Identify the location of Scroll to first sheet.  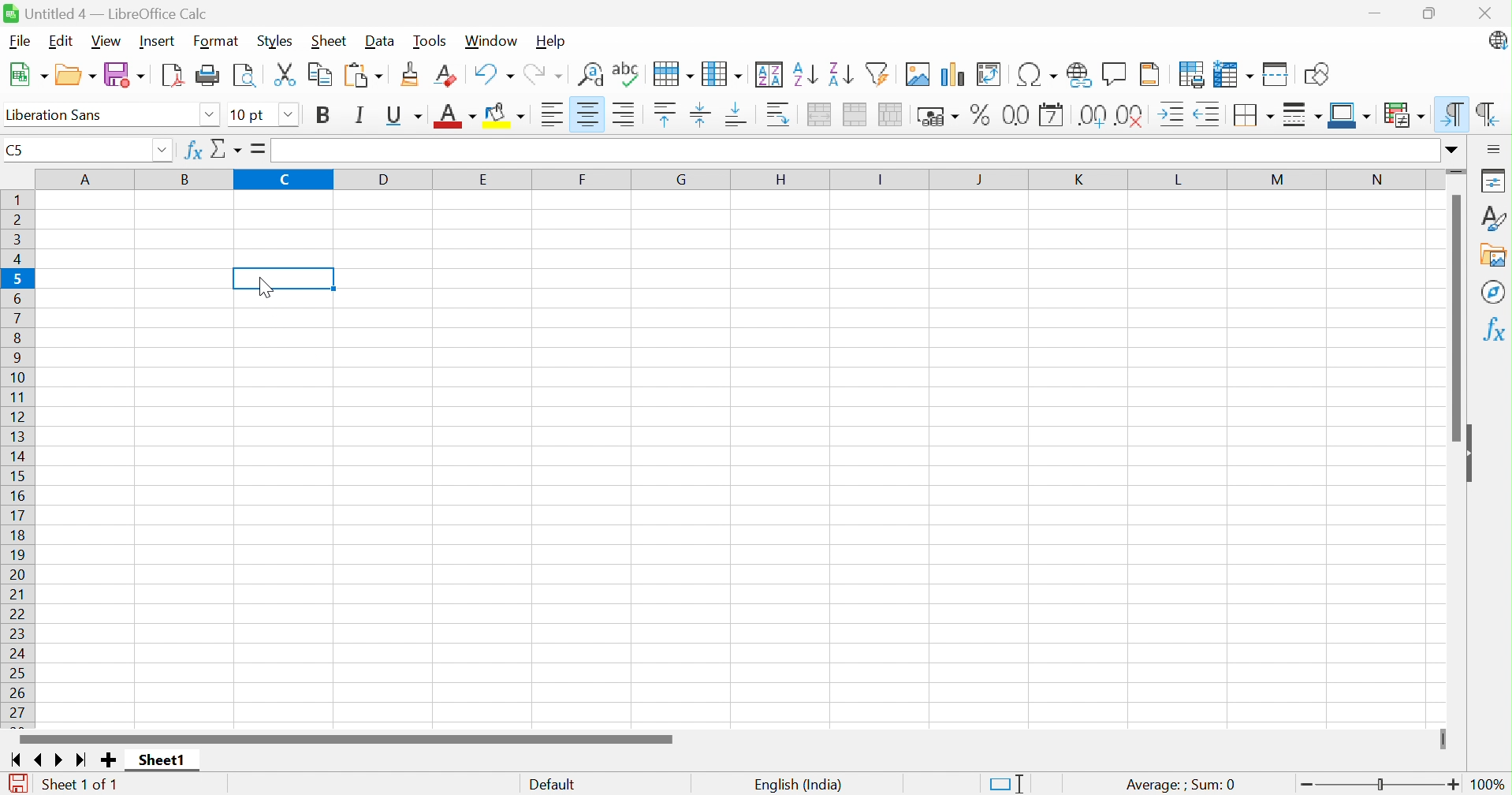
(13, 761).